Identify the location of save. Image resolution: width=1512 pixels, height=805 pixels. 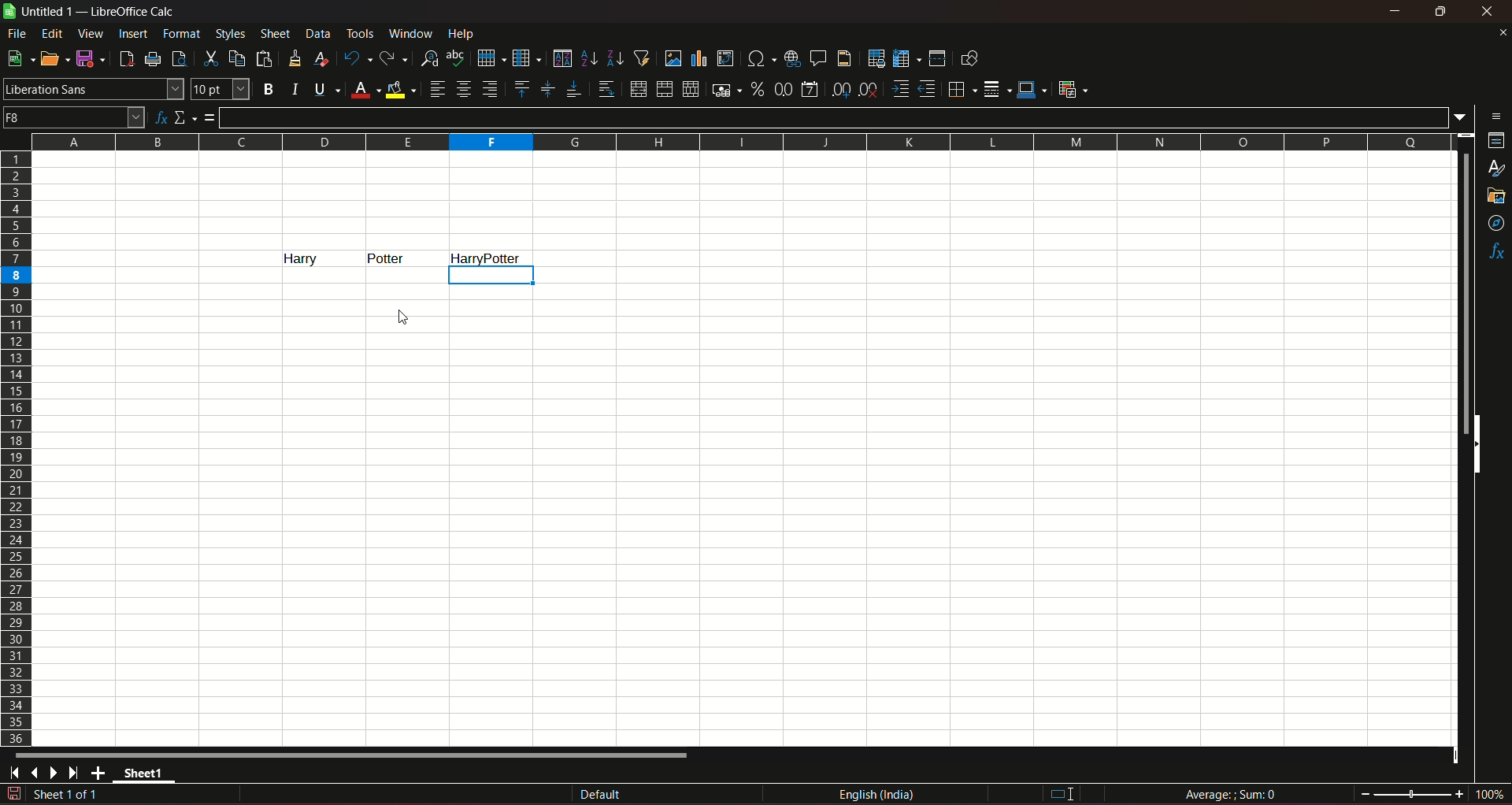
(87, 57).